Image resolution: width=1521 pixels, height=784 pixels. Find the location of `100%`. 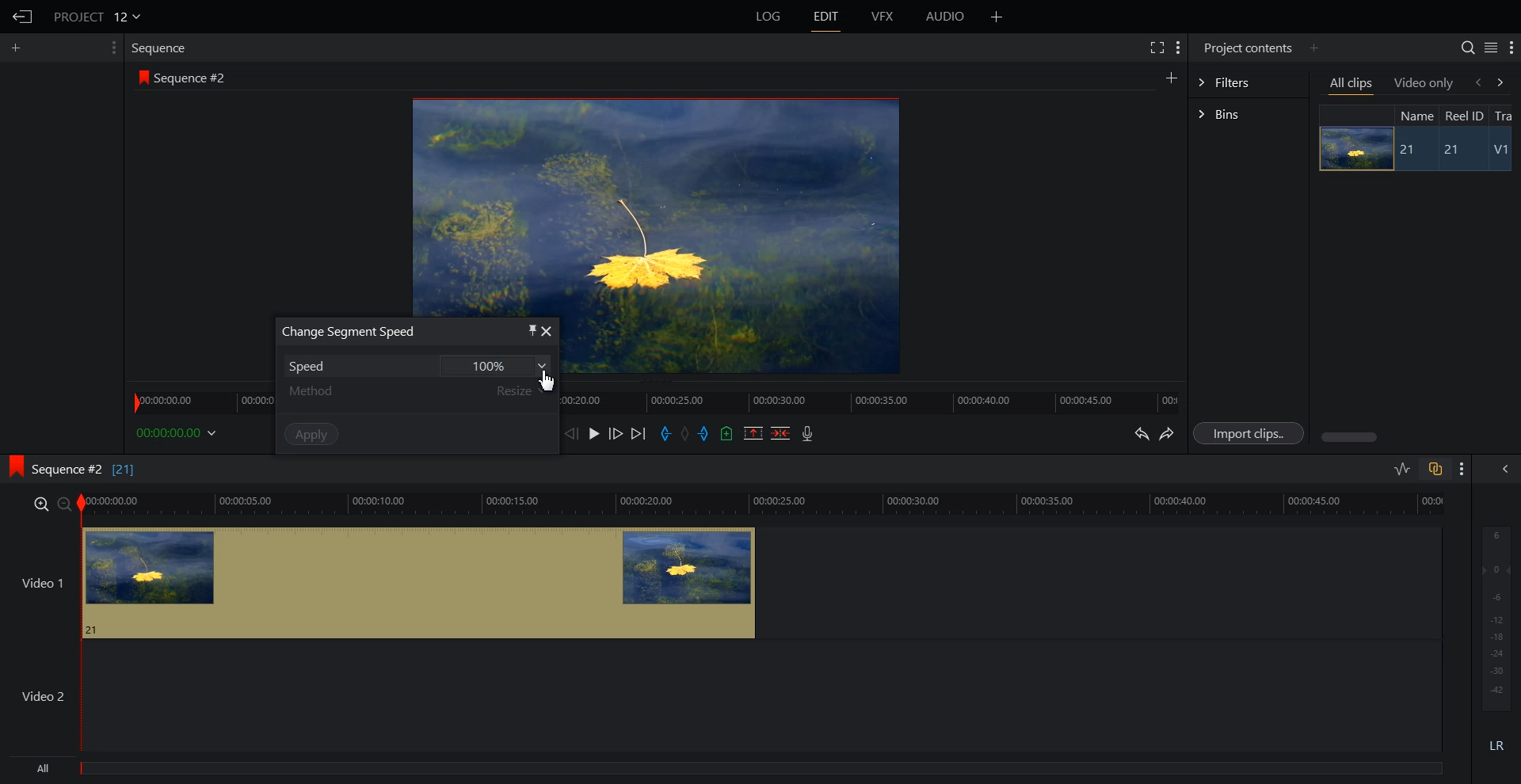

100% is located at coordinates (496, 366).